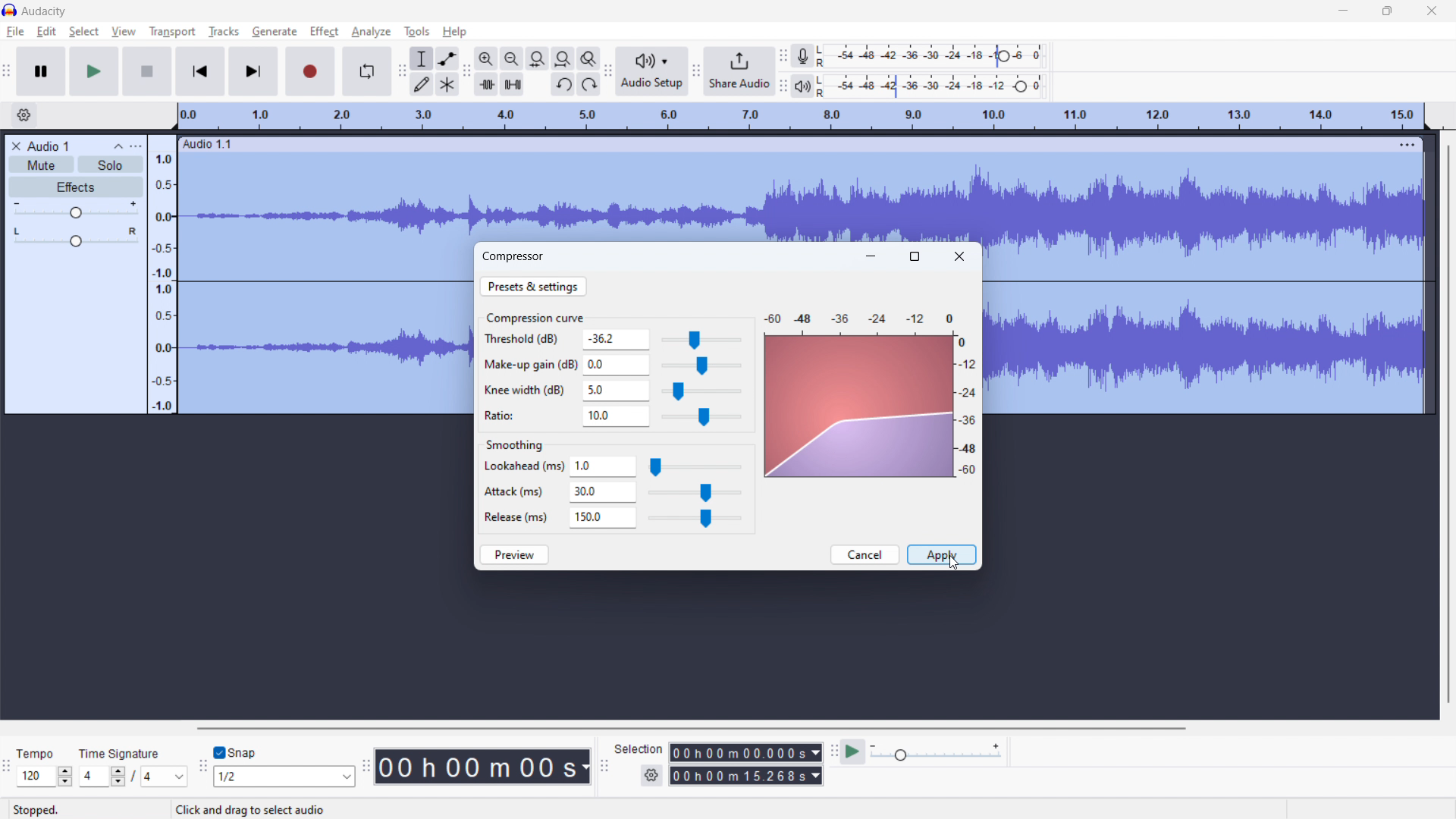  Describe the element at coordinates (651, 71) in the screenshot. I see `audio setup` at that location.